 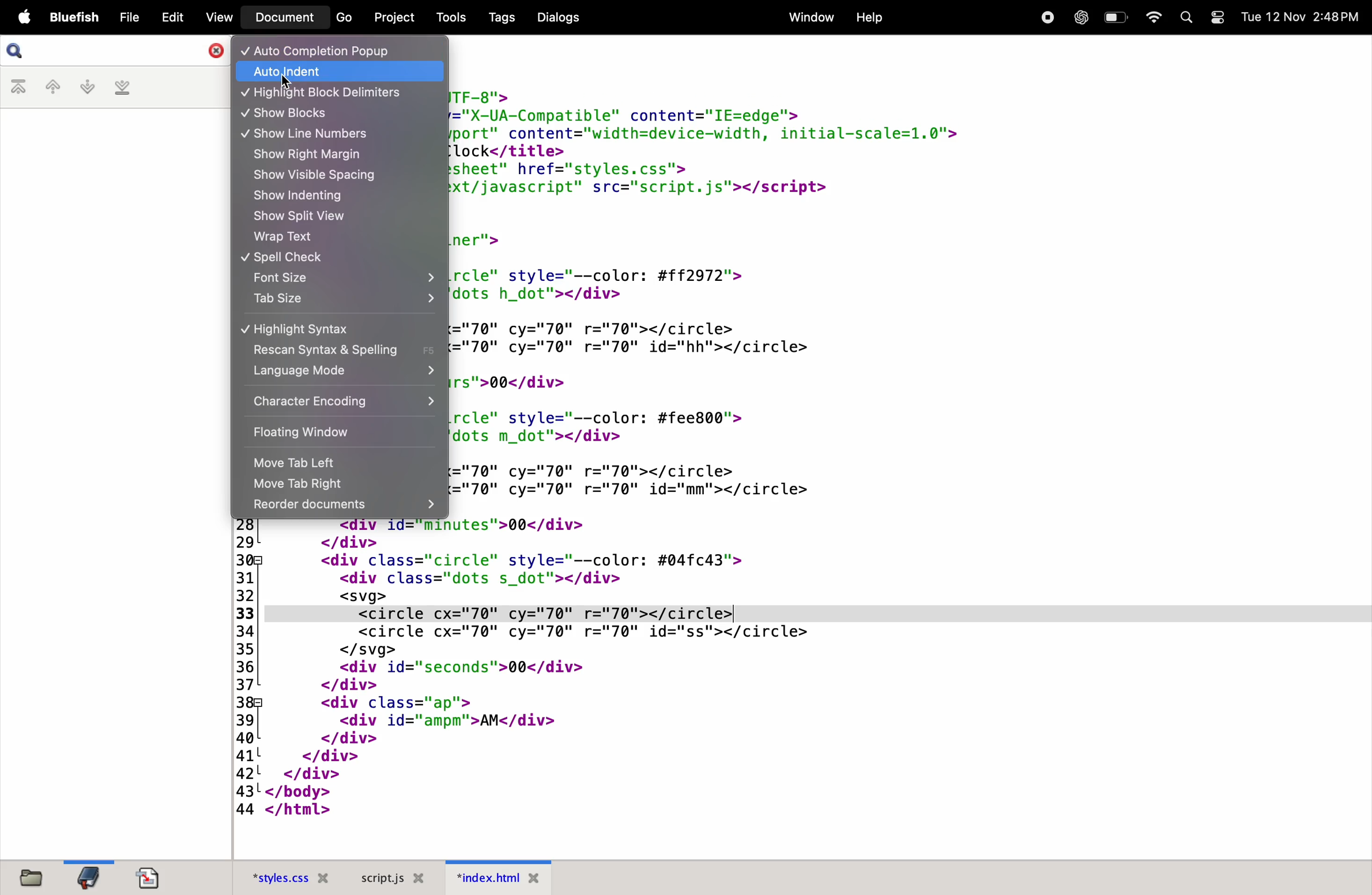 I want to click on projects, so click(x=395, y=17).